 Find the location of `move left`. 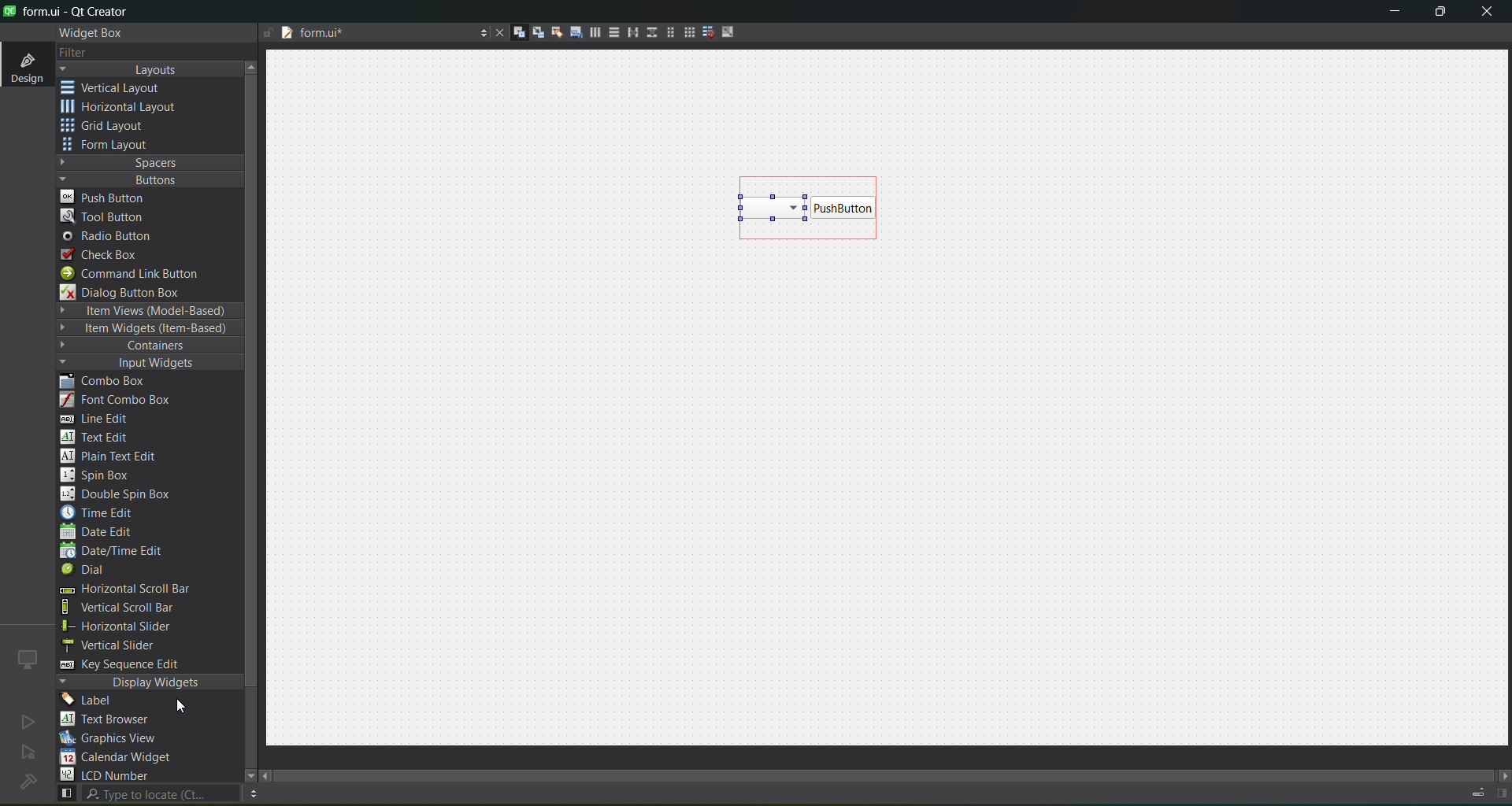

move left is located at coordinates (268, 777).